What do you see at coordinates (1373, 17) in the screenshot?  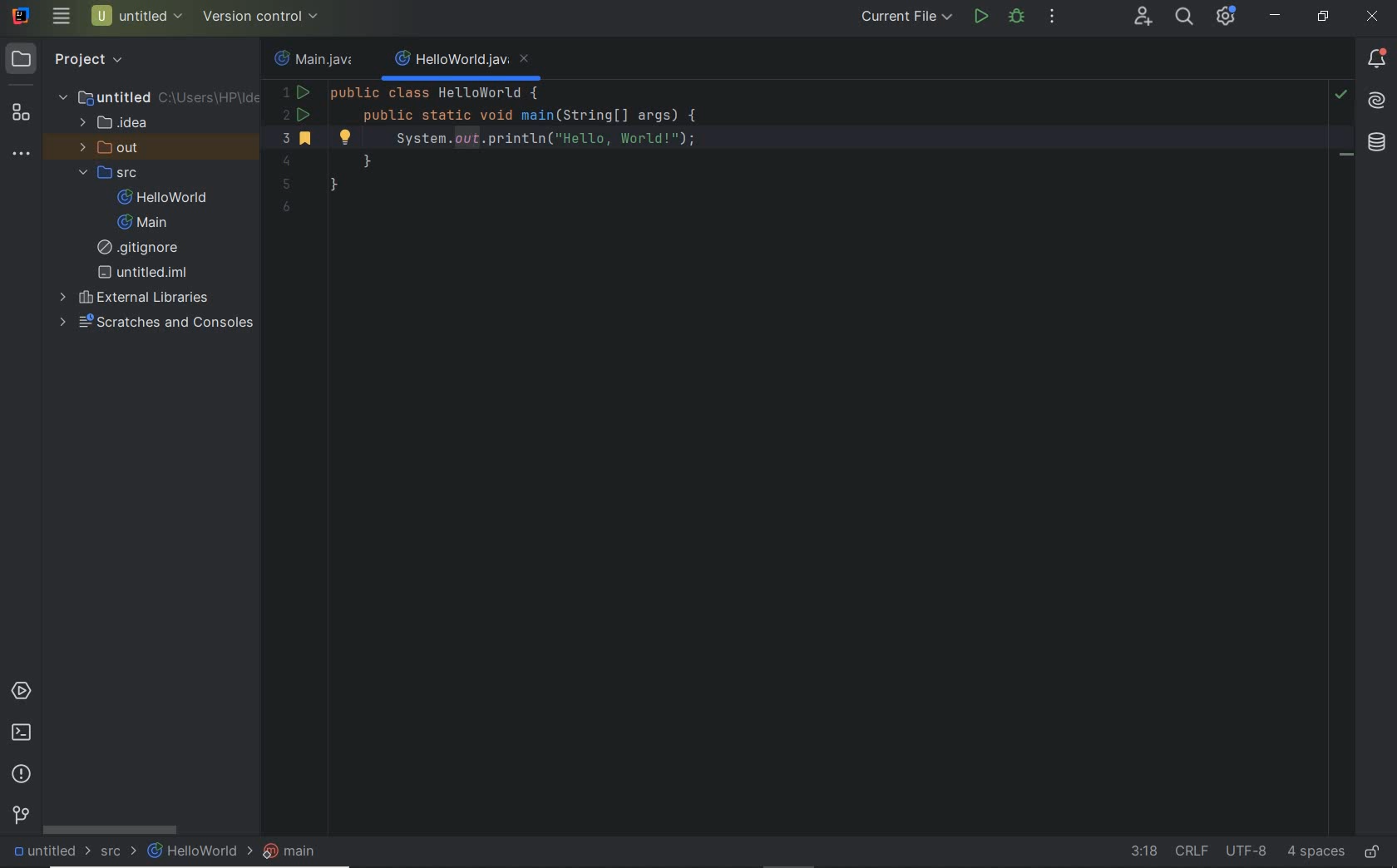 I see `close` at bounding box center [1373, 17].